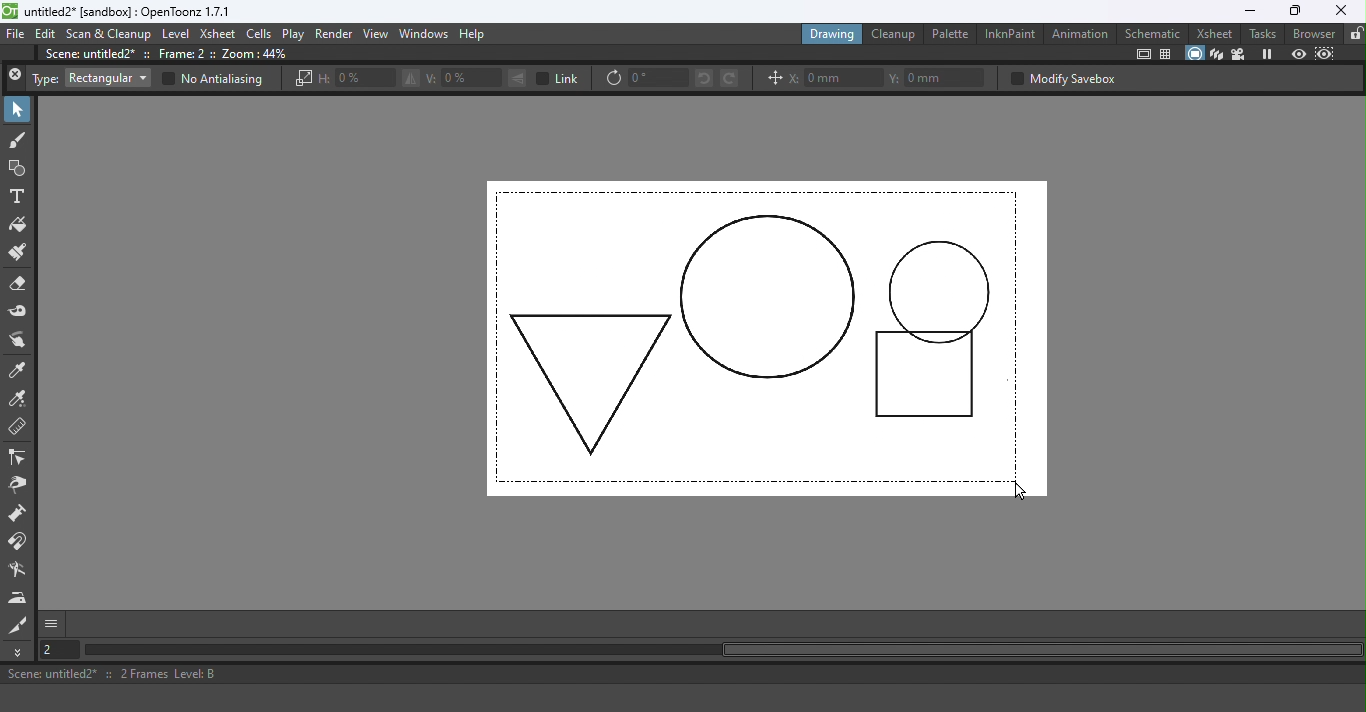  What do you see at coordinates (1217, 54) in the screenshot?
I see `3D view` at bounding box center [1217, 54].